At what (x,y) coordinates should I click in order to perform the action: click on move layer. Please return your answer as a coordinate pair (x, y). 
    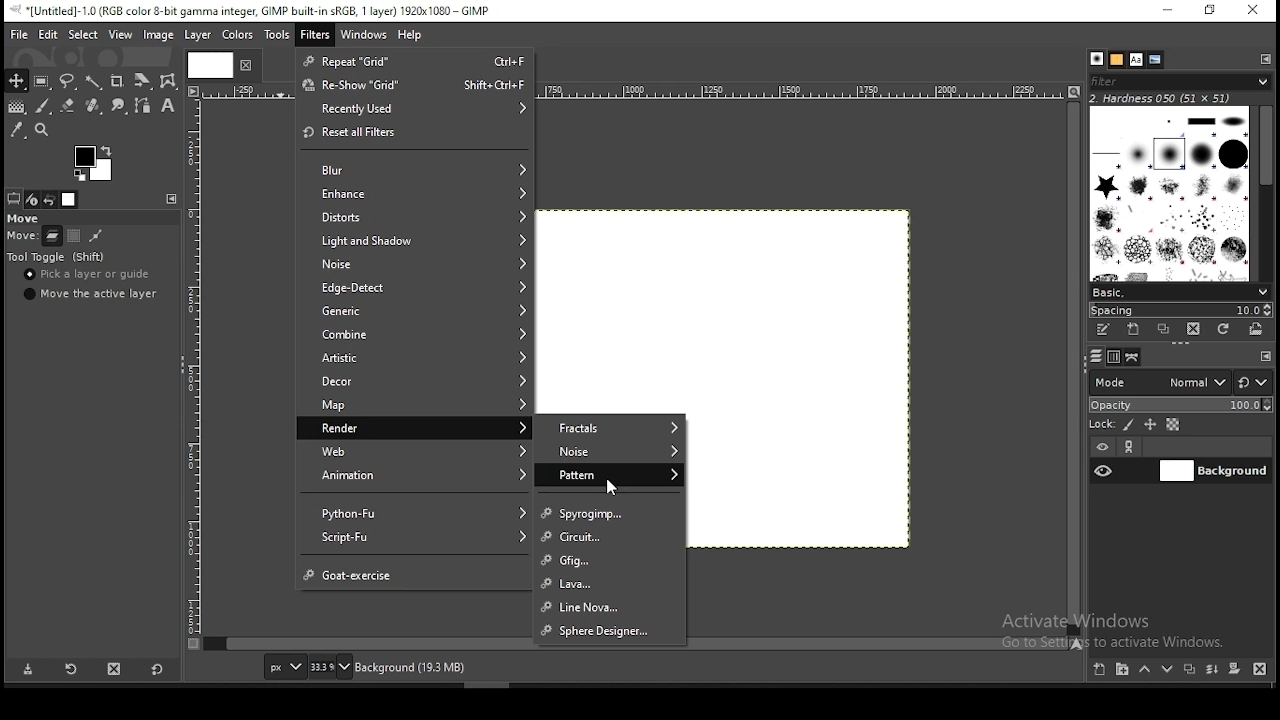
    Looking at the image, I should click on (52, 237).